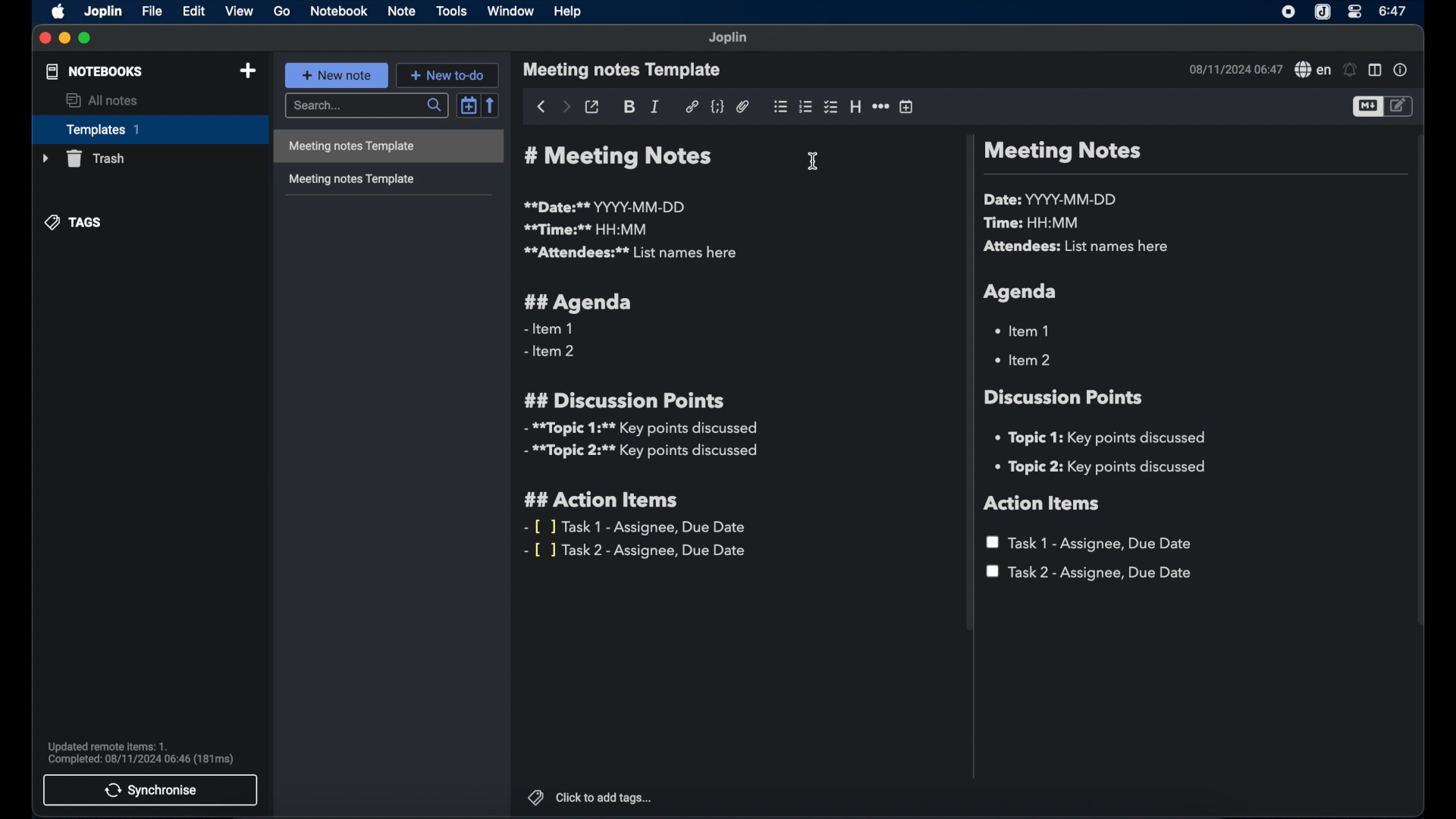  Describe the element at coordinates (102, 101) in the screenshot. I see `all notes` at that location.